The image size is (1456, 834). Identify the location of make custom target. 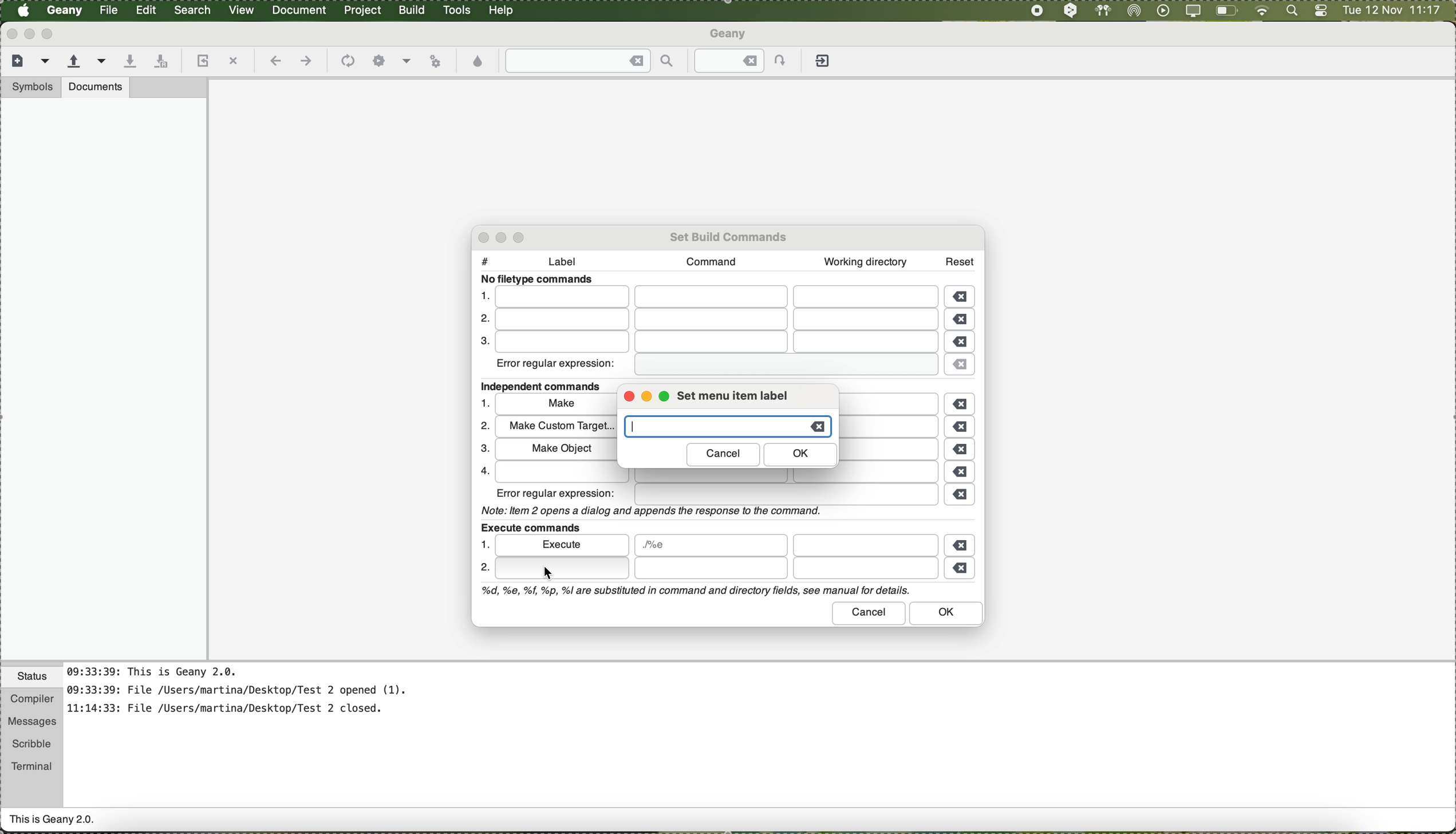
(555, 427).